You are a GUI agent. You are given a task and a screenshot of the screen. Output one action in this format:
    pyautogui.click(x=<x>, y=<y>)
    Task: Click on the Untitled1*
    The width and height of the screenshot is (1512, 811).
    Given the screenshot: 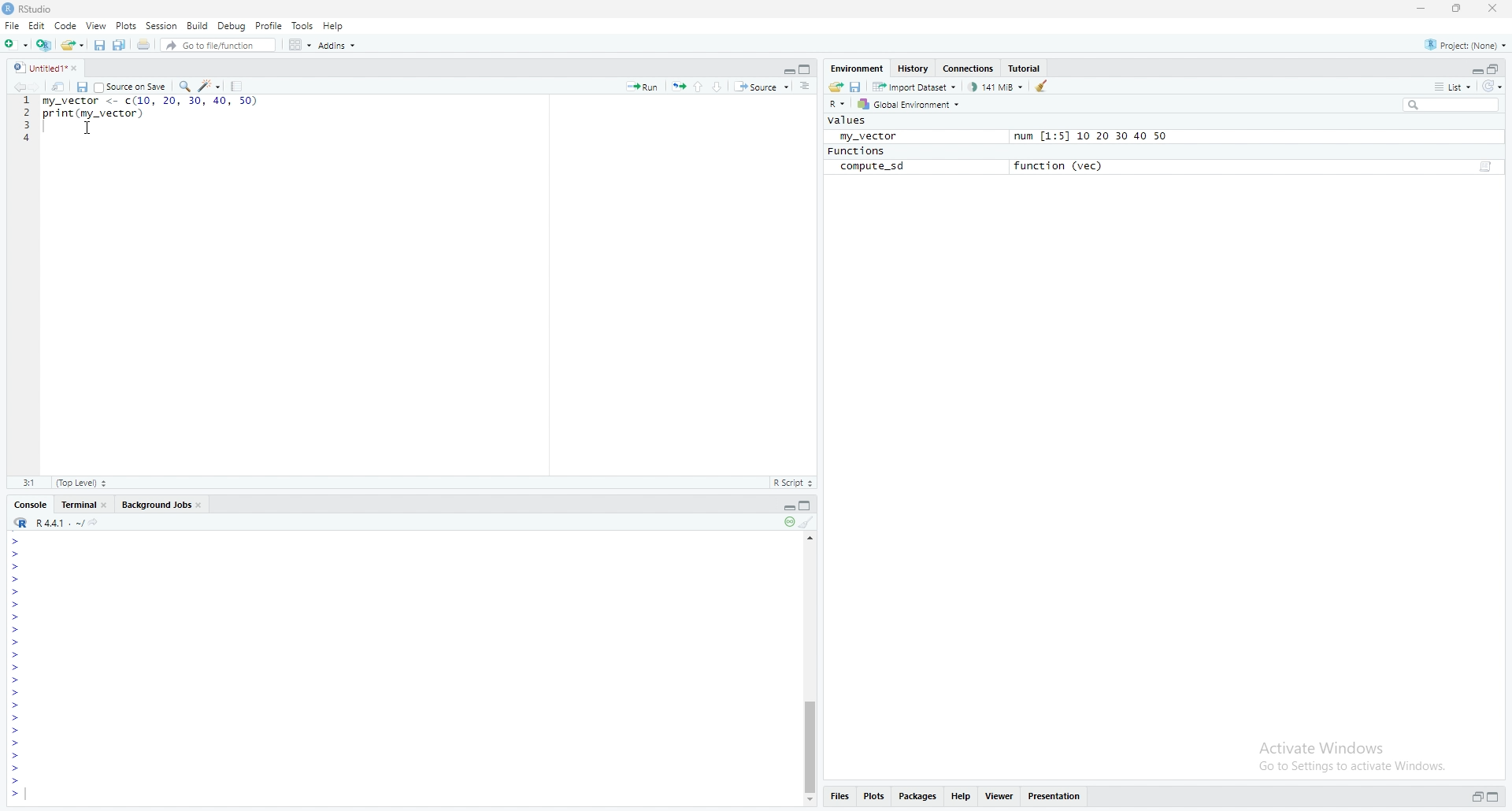 What is the action you would take?
    pyautogui.click(x=49, y=69)
    